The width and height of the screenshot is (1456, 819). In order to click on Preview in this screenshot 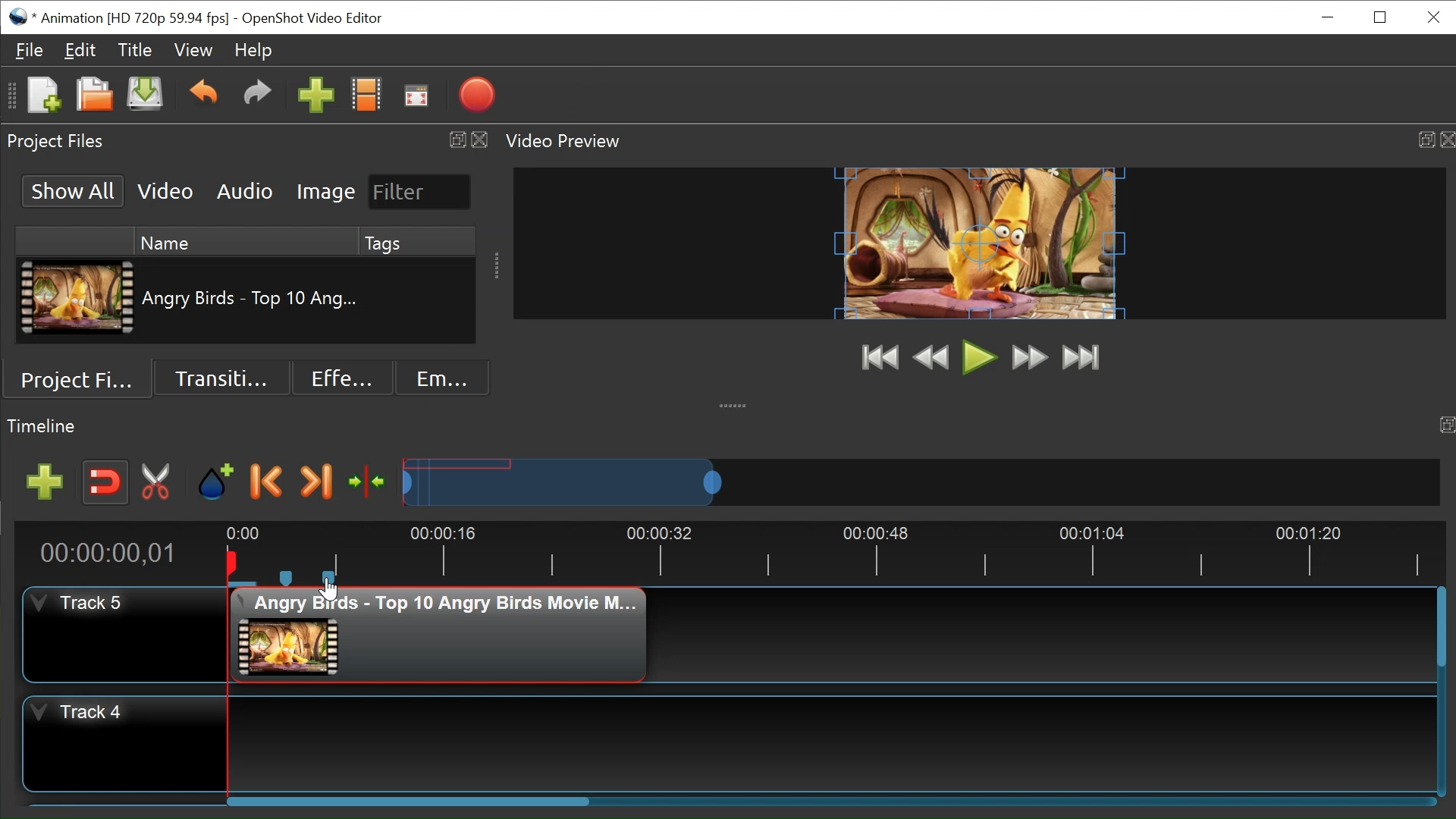, I will do `click(931, 359)`.